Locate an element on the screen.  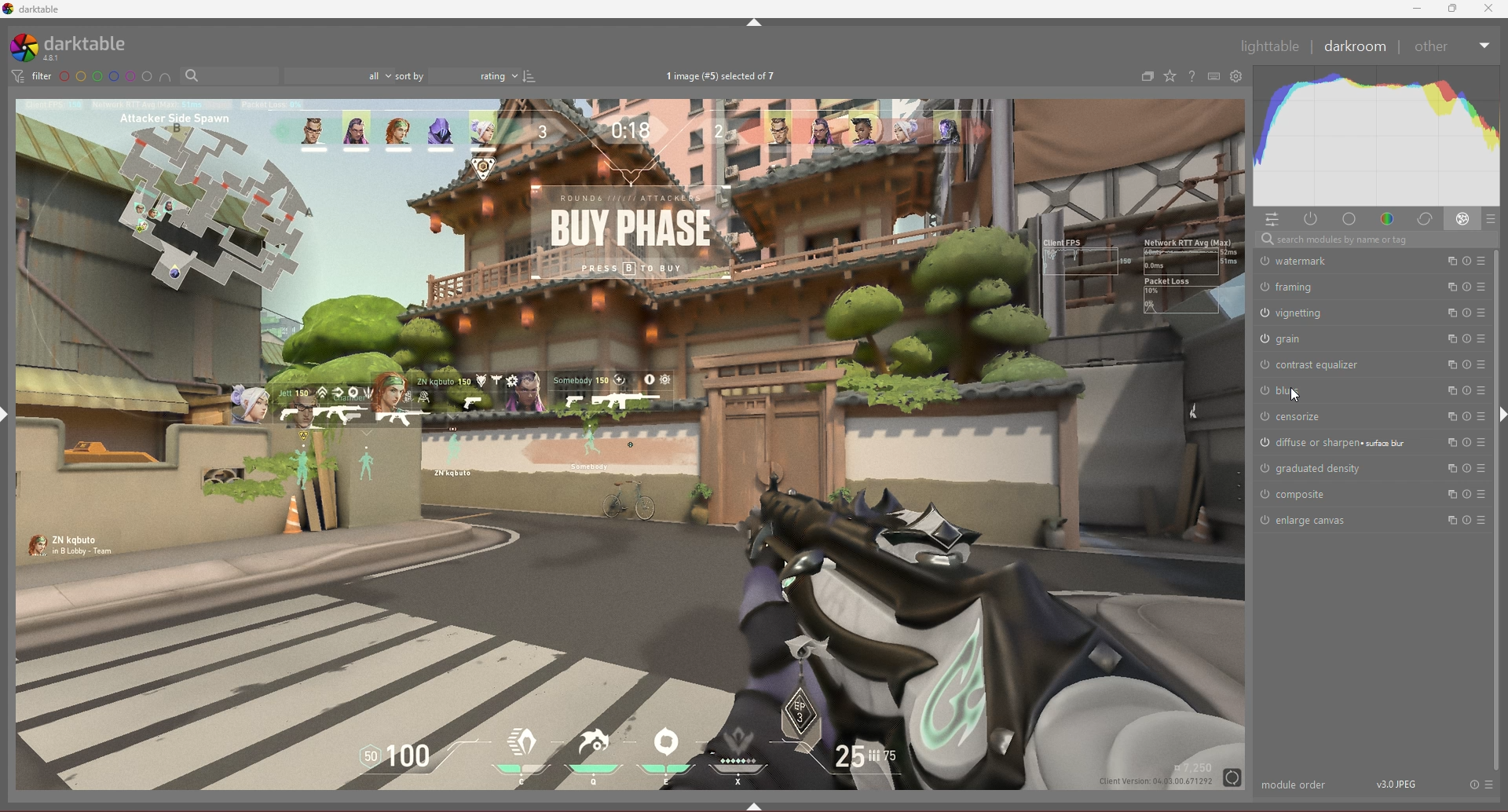
photo is located at coordinates (630, 444).